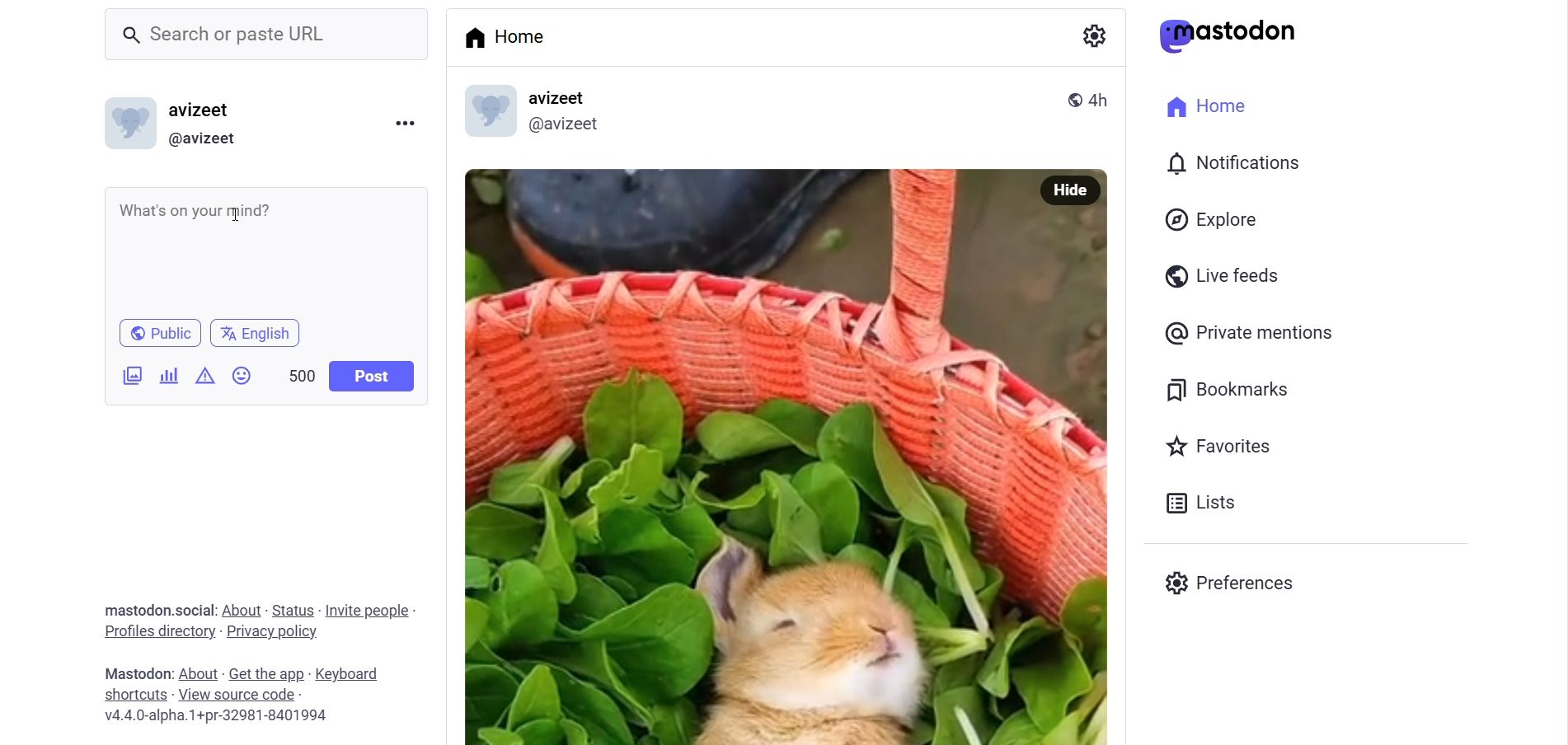 This screenshot has width=1568, height=745. What do you see at coordinates (272, 635) in the screenshot?
I see `privacy policy` at bounding box center [272, 635].